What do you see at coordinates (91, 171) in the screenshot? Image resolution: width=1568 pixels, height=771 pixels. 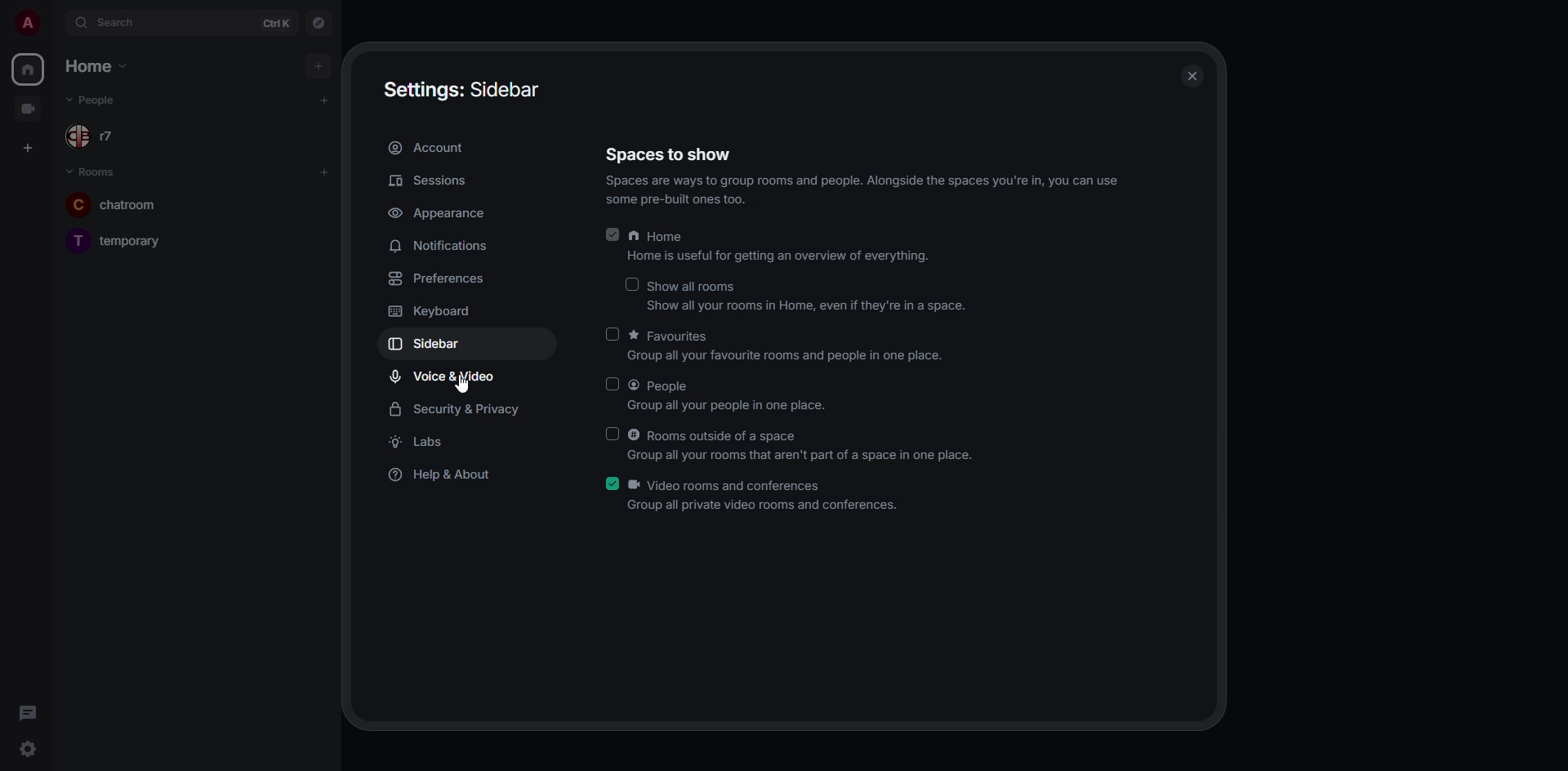 I see `room` at bounding box center [91, 171].